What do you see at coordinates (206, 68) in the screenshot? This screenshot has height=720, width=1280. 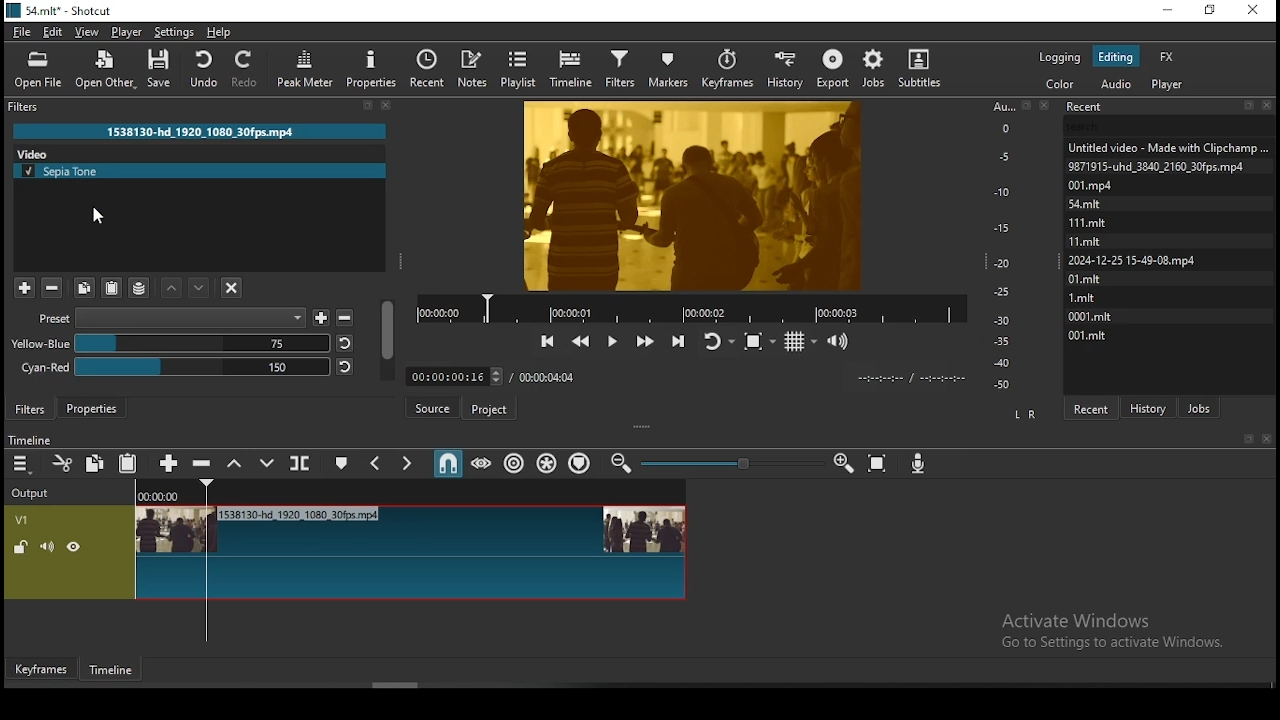 I see `undo` at bounding box center [206, 68].